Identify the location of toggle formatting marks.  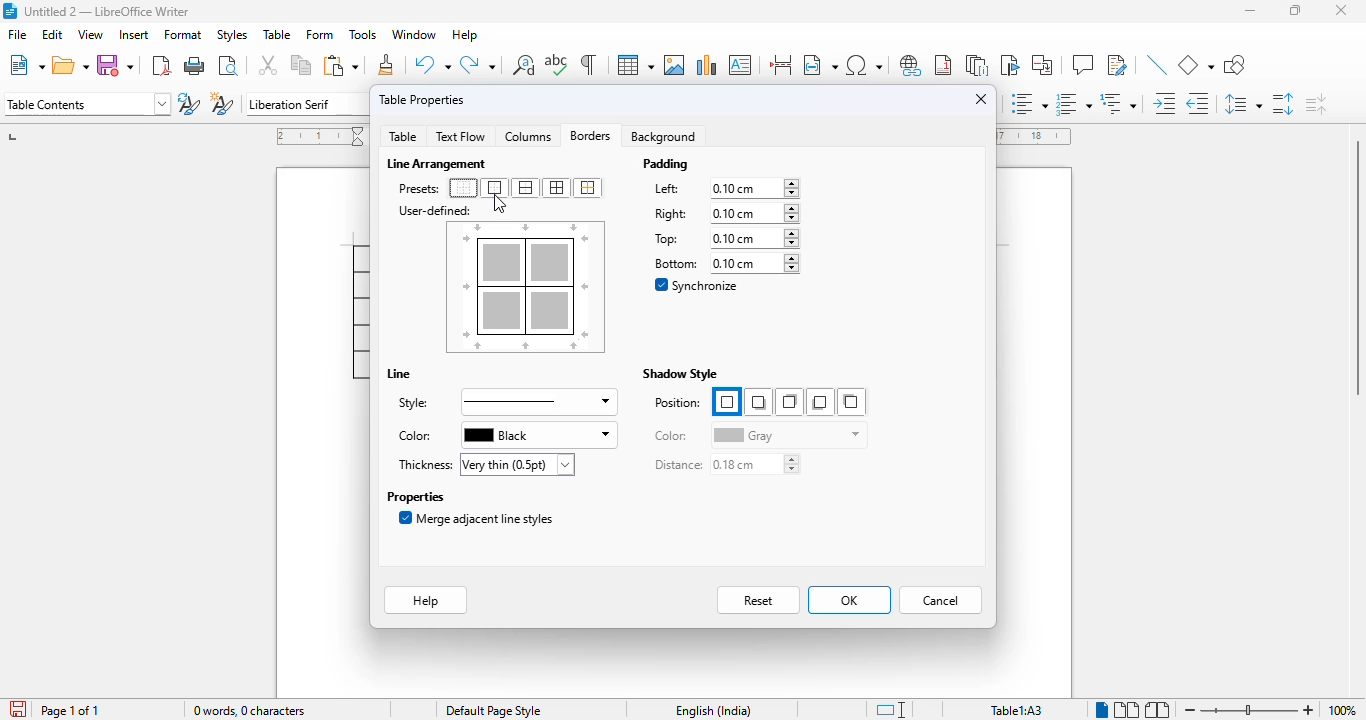
(588, 64).